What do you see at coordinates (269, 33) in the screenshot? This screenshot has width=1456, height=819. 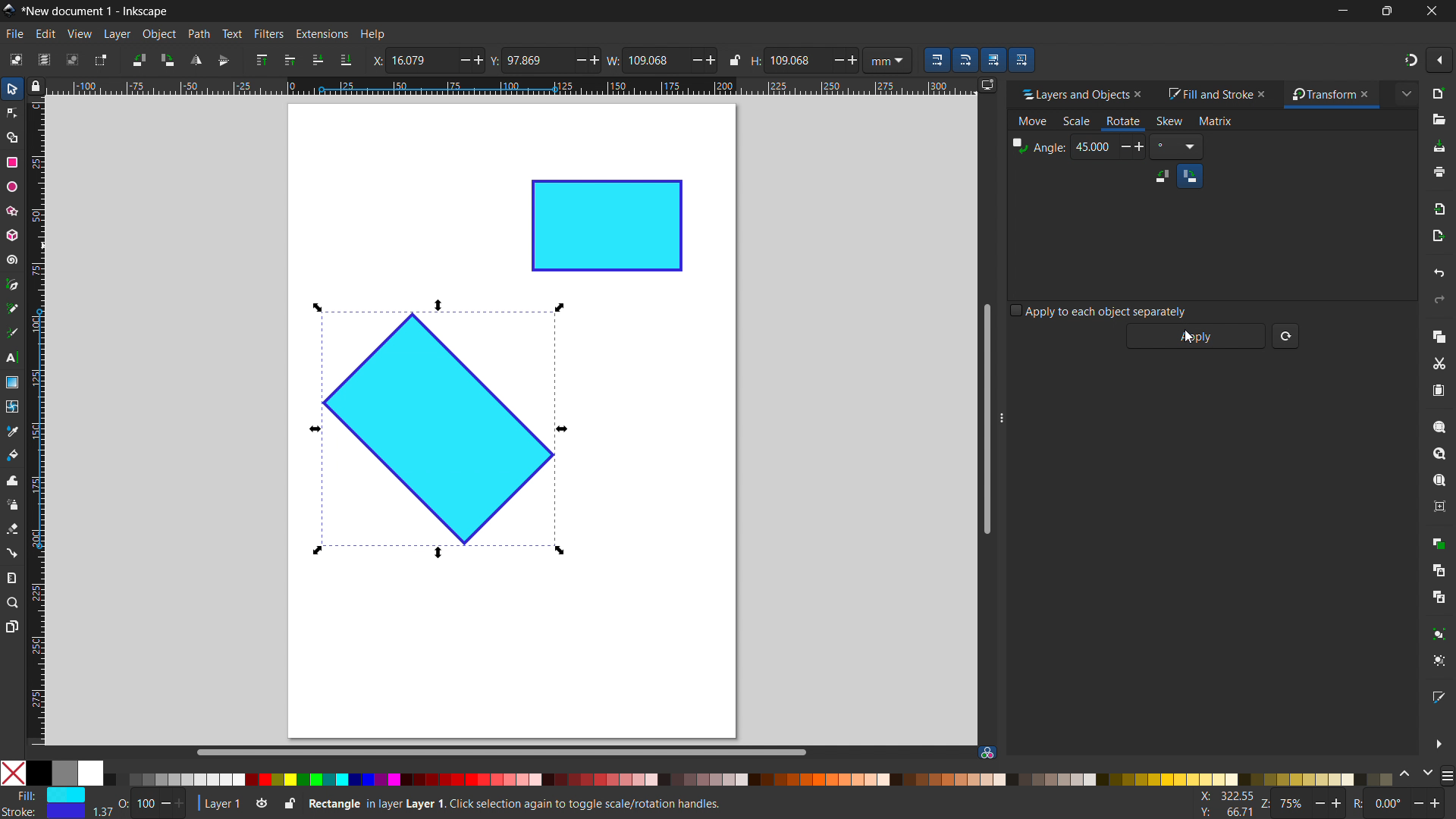 I see `filters` at bounding box center [269, 33].